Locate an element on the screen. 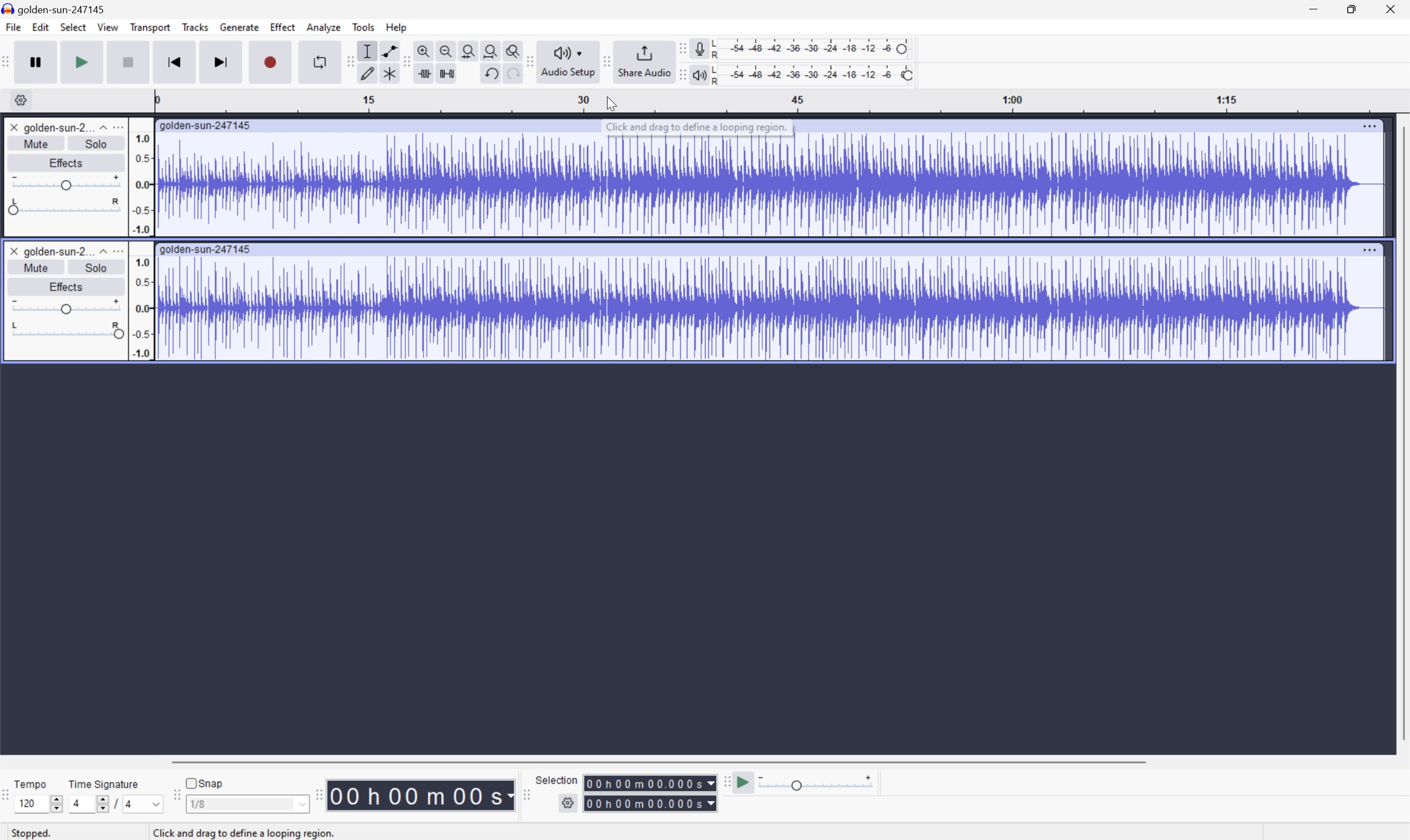 The image size is (1410, 840). Skip to start is located at coordinates (176, 61).